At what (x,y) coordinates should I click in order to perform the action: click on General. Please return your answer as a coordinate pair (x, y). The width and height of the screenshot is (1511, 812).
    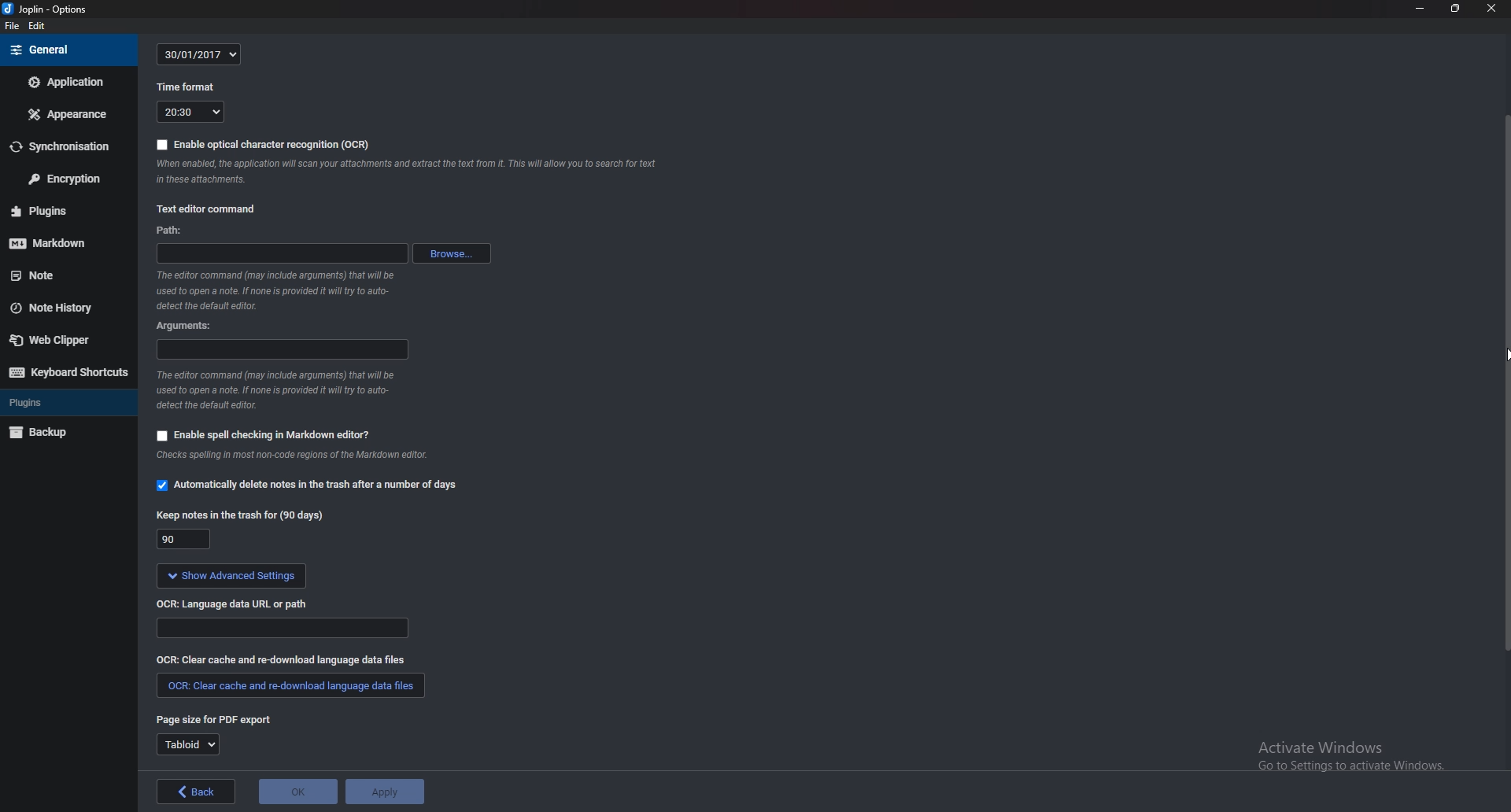
    Looking at the image, I should click on (66, 51).